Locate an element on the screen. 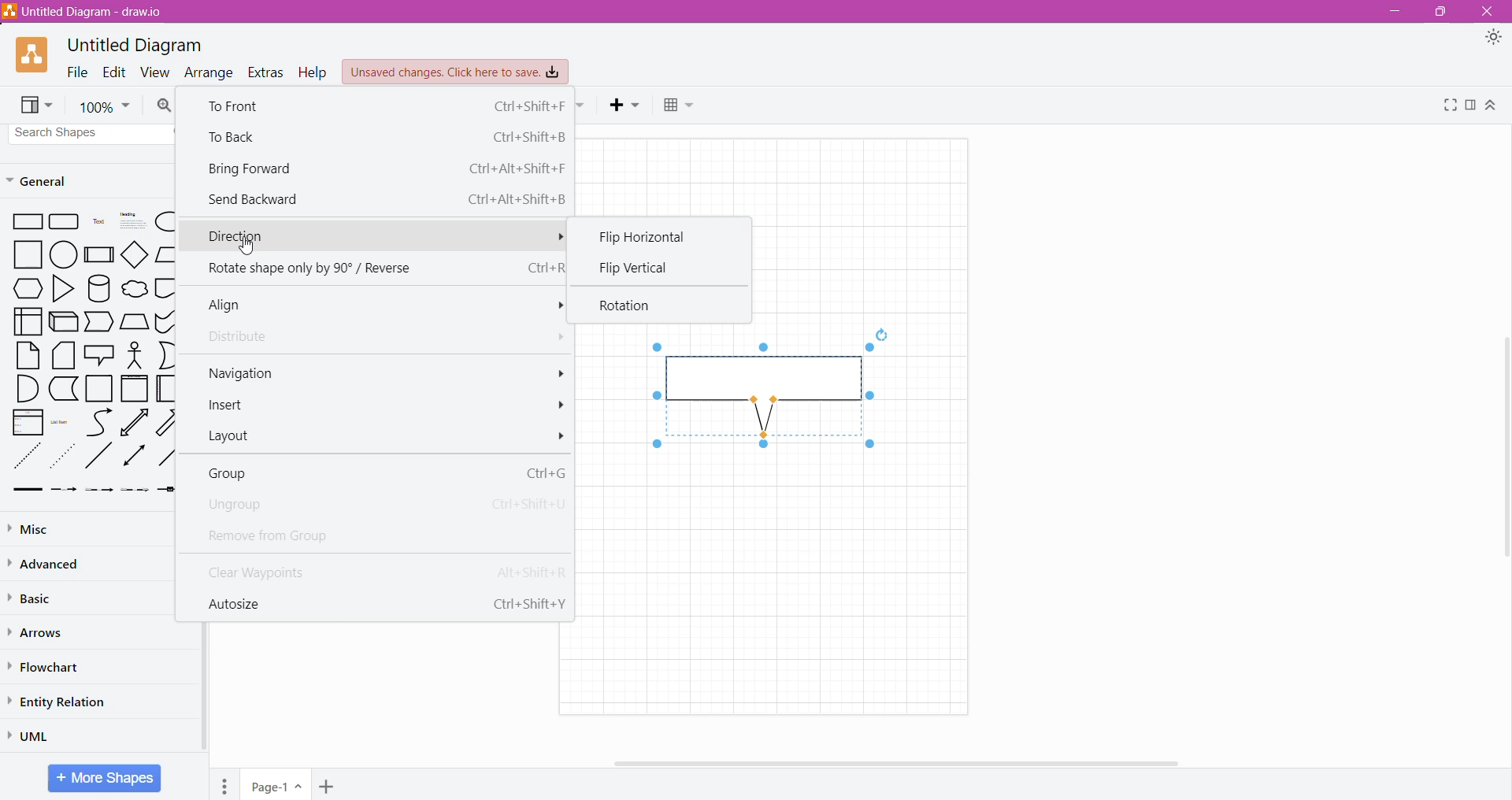  List Box is located at coordinates (28, 422).